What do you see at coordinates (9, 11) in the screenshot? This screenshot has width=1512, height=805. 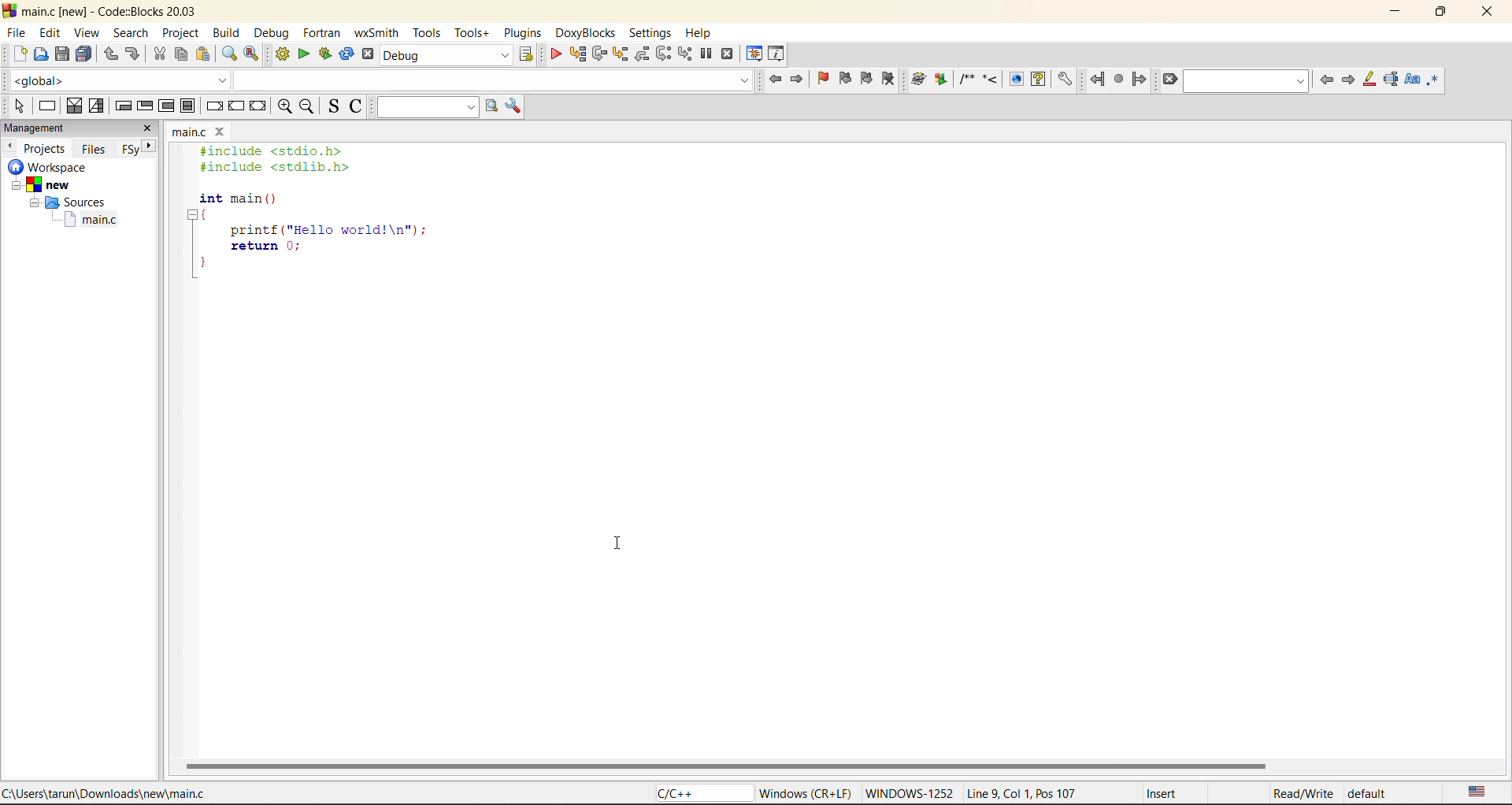 I see `code blocks logo` at bounding box center [9, 11].